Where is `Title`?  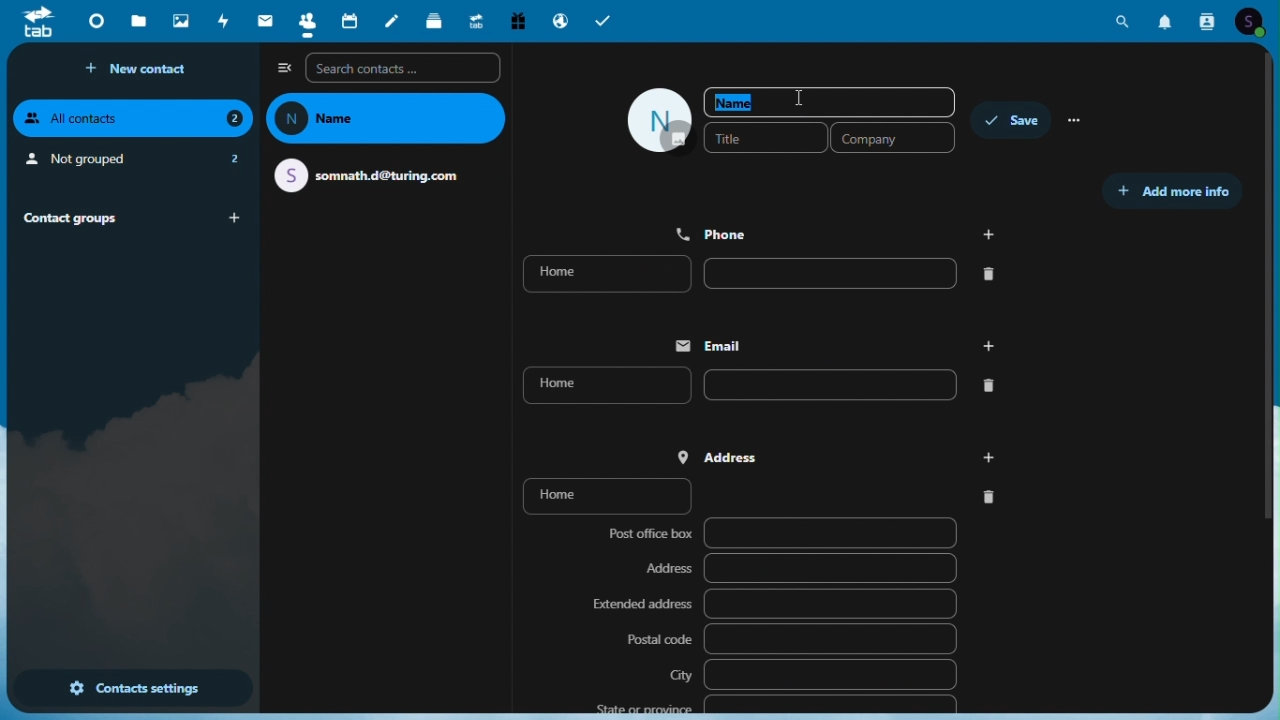 Title is located at coordinates (765, 137).